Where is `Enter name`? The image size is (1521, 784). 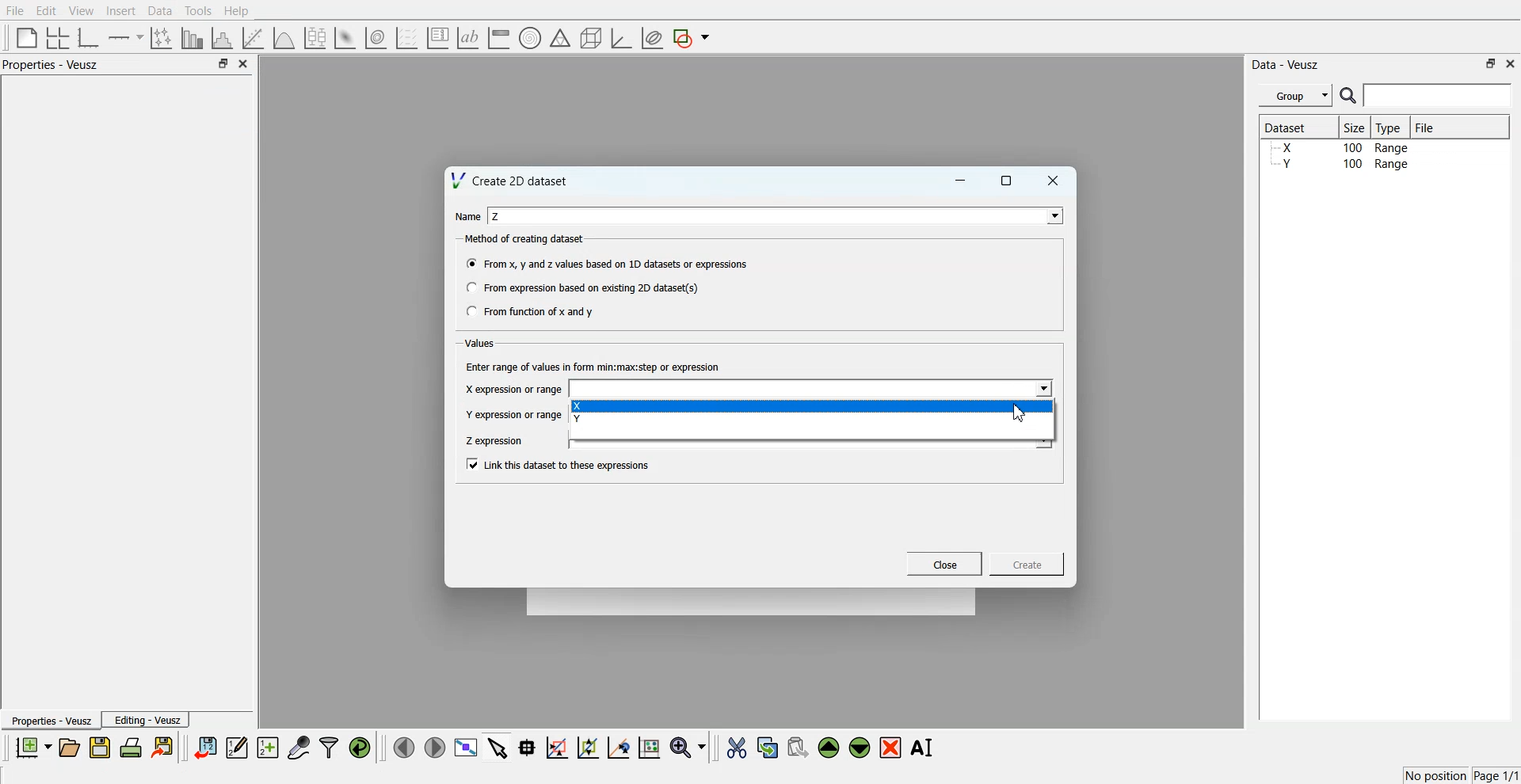
Enter name is located at coordinates (778, 215).